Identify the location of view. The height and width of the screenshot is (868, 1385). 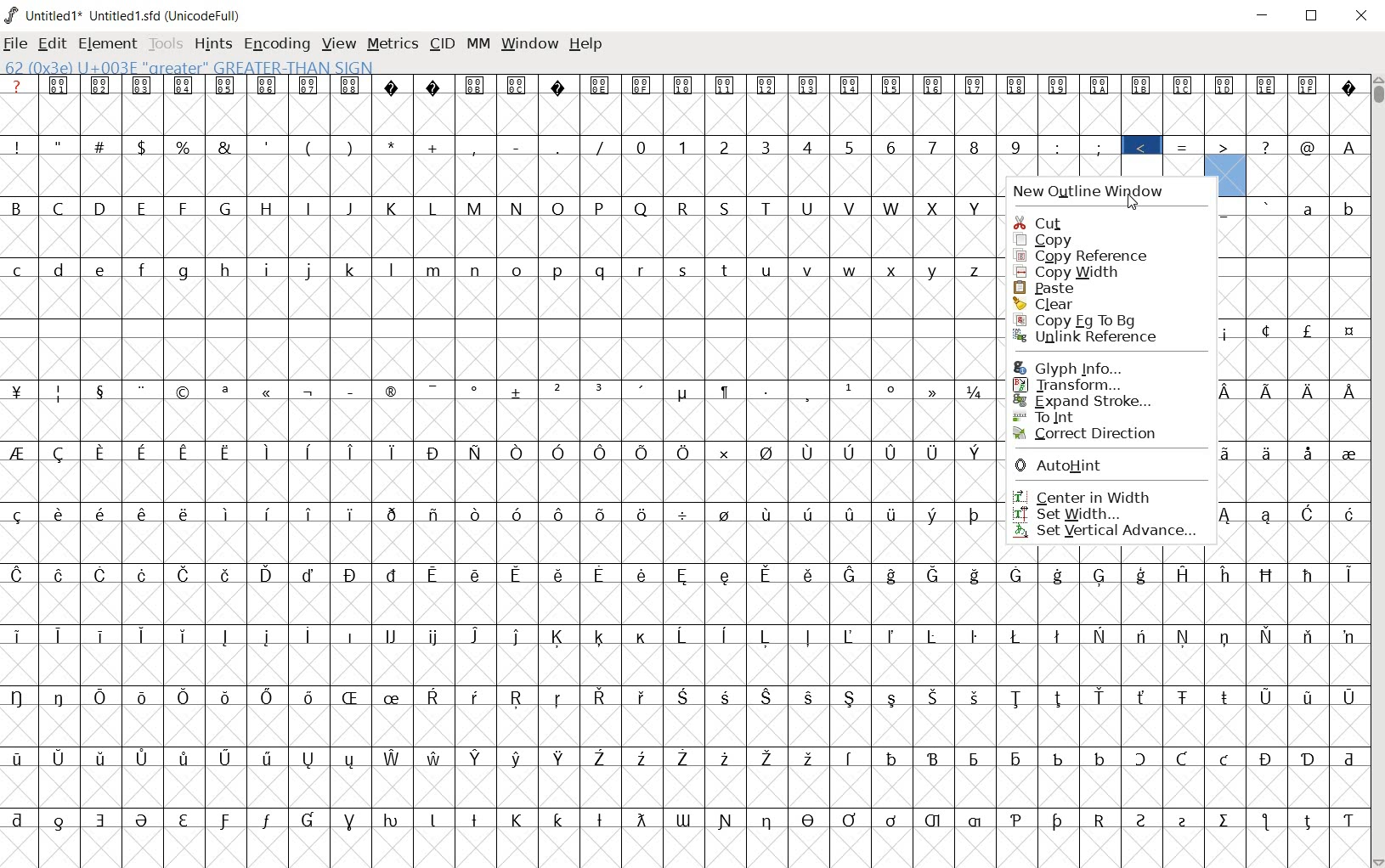
(340, 45).